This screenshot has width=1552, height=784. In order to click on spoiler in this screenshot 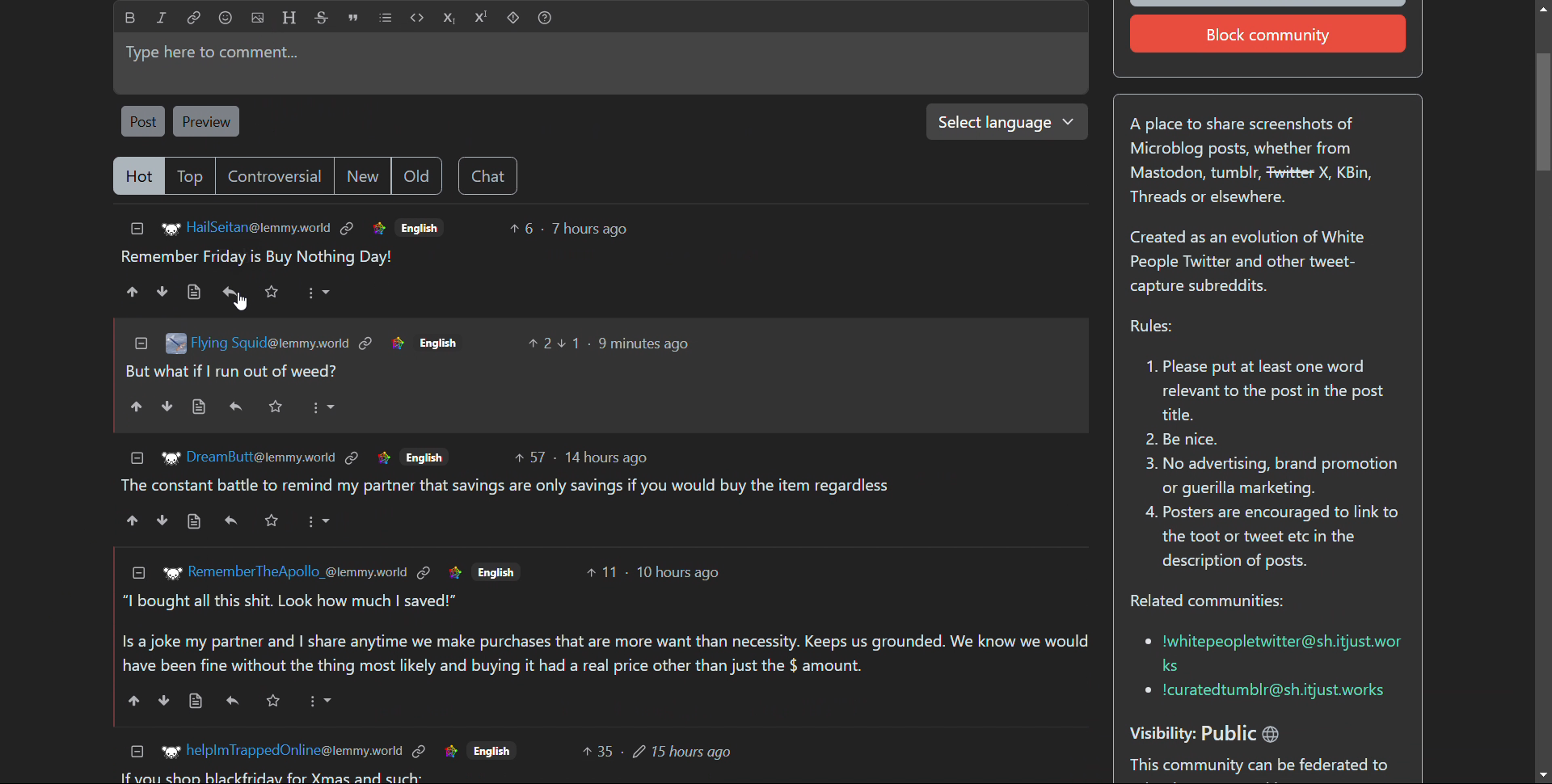, I will do `click(513, 19)`.